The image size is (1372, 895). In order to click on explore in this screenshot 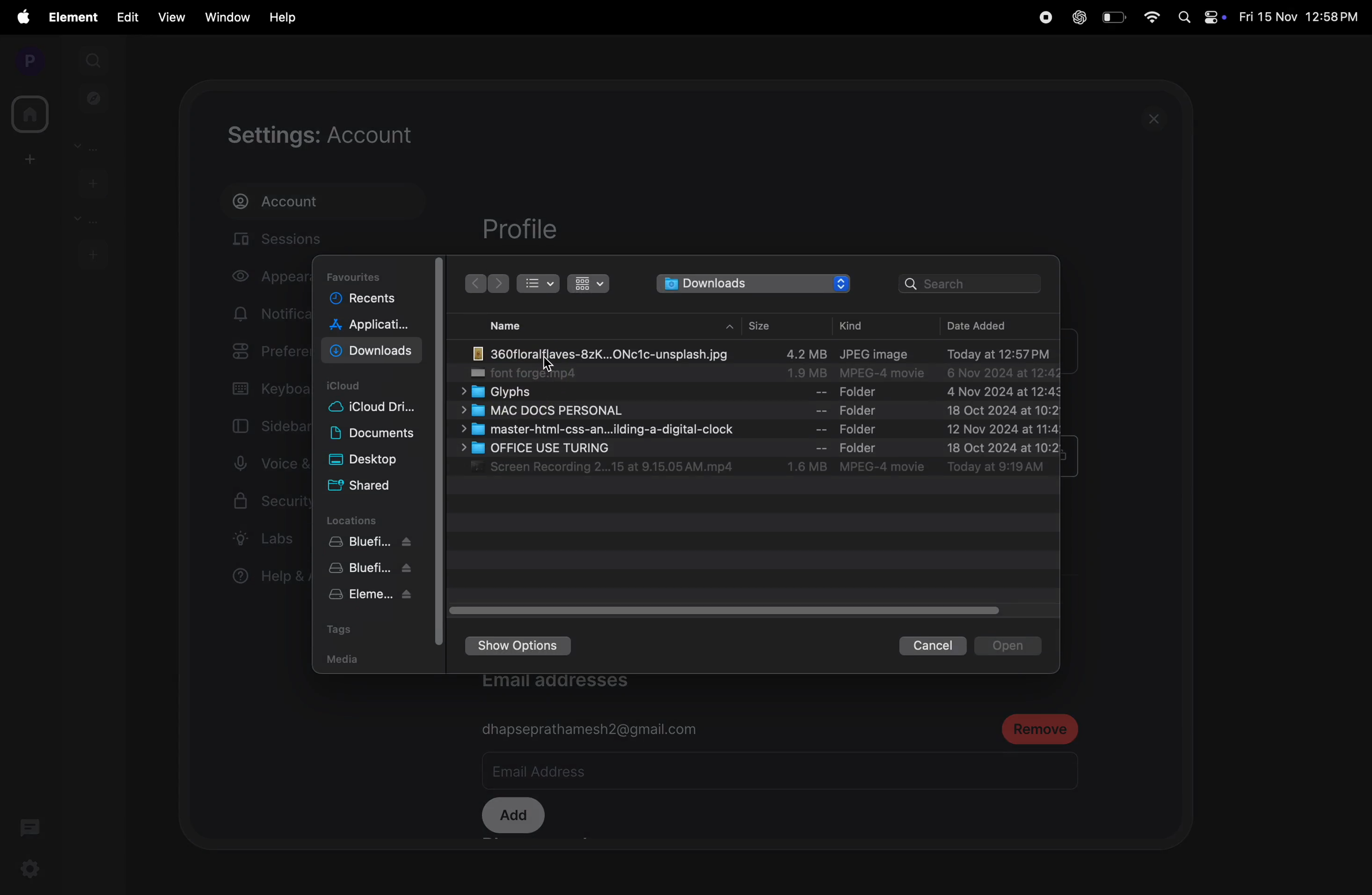, I will do `click(94, 97)`.